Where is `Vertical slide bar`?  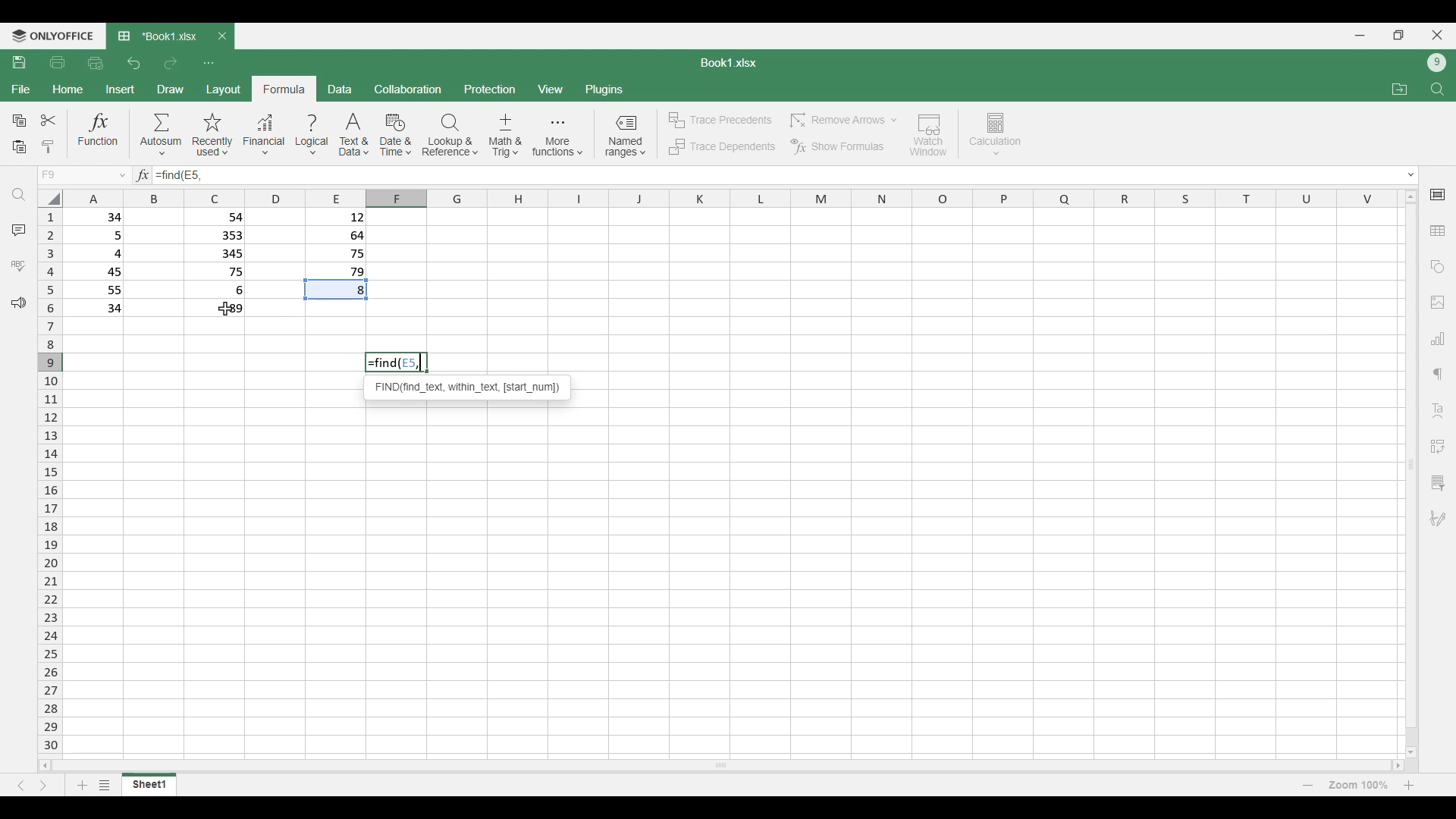 Vertical slide bar is located at coordinates (1412, 474).